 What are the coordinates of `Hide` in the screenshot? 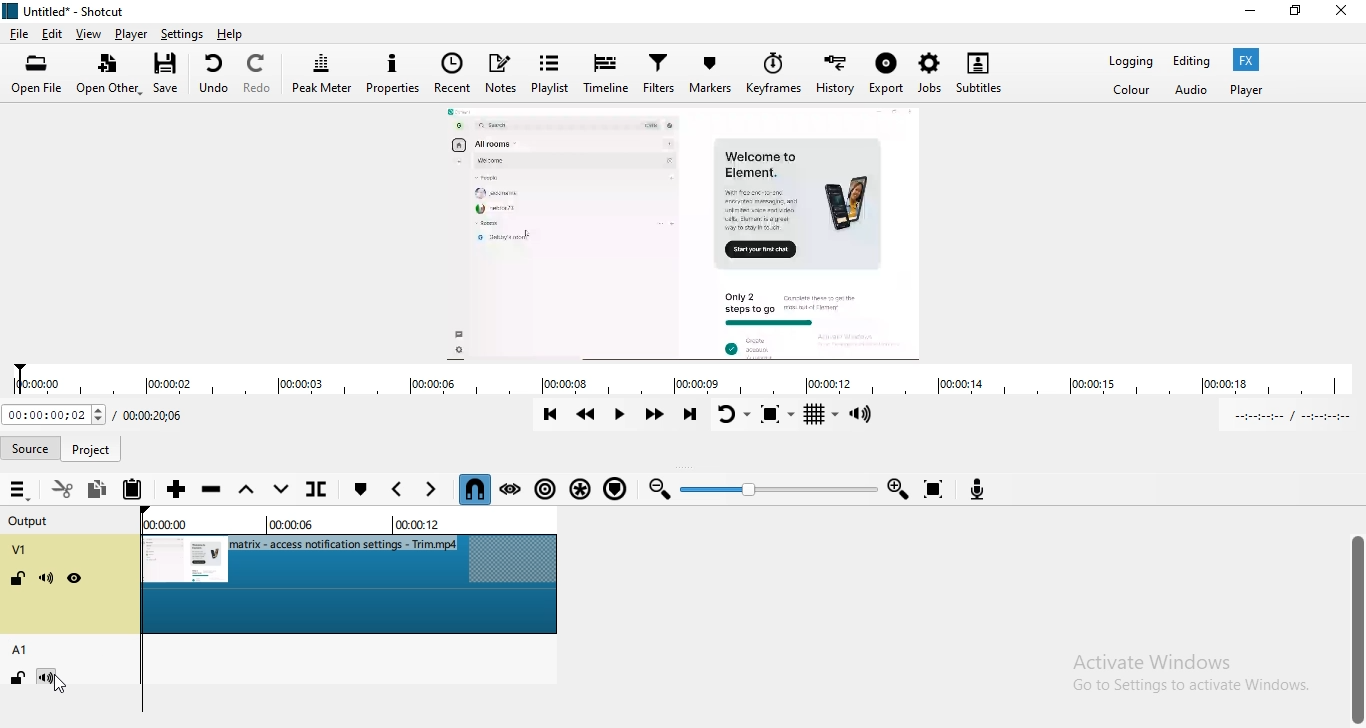 It's located at (75, 579).